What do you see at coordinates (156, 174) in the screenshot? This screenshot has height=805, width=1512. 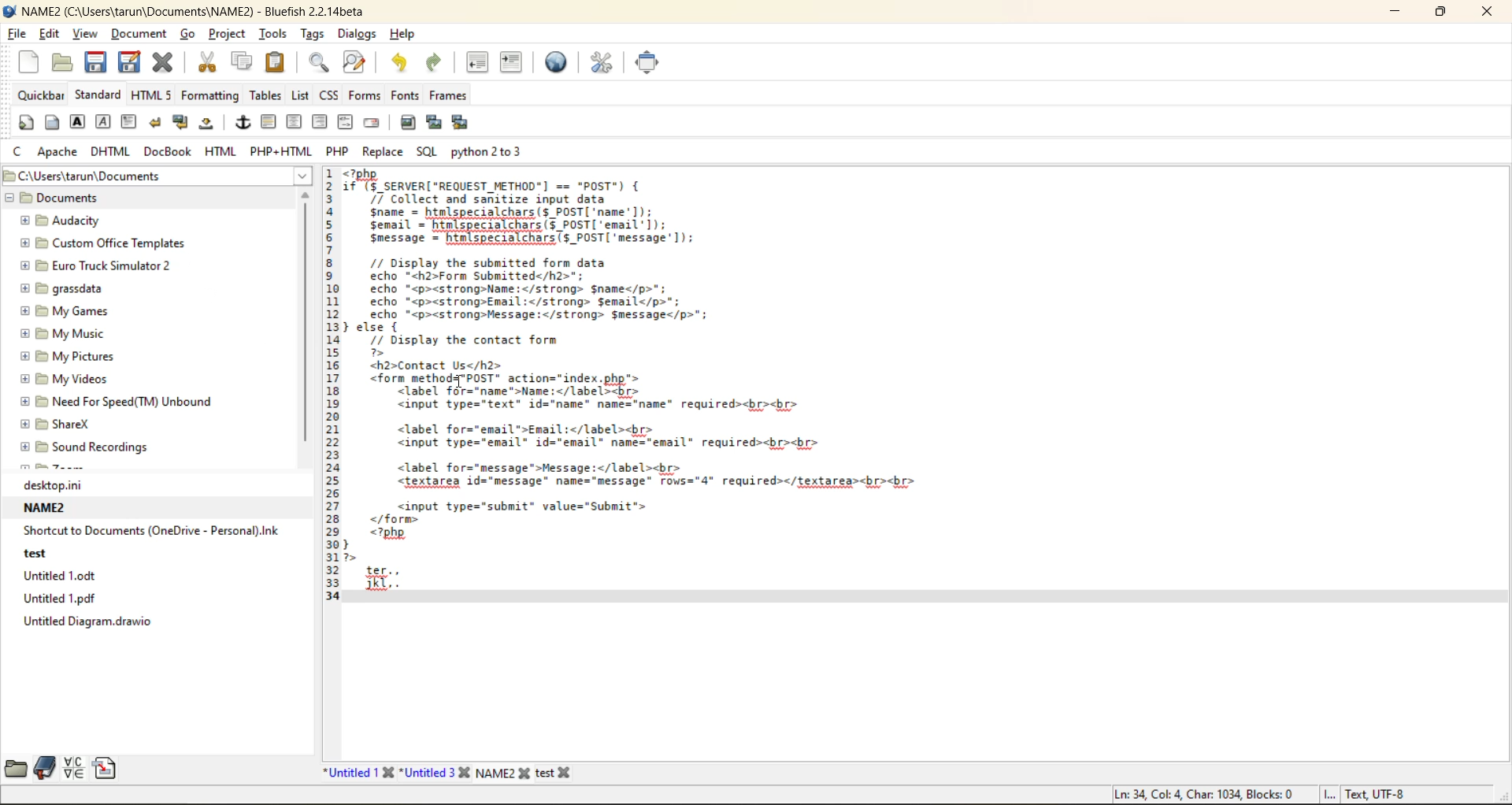 I see `file path` at bounding box center [156, 174].